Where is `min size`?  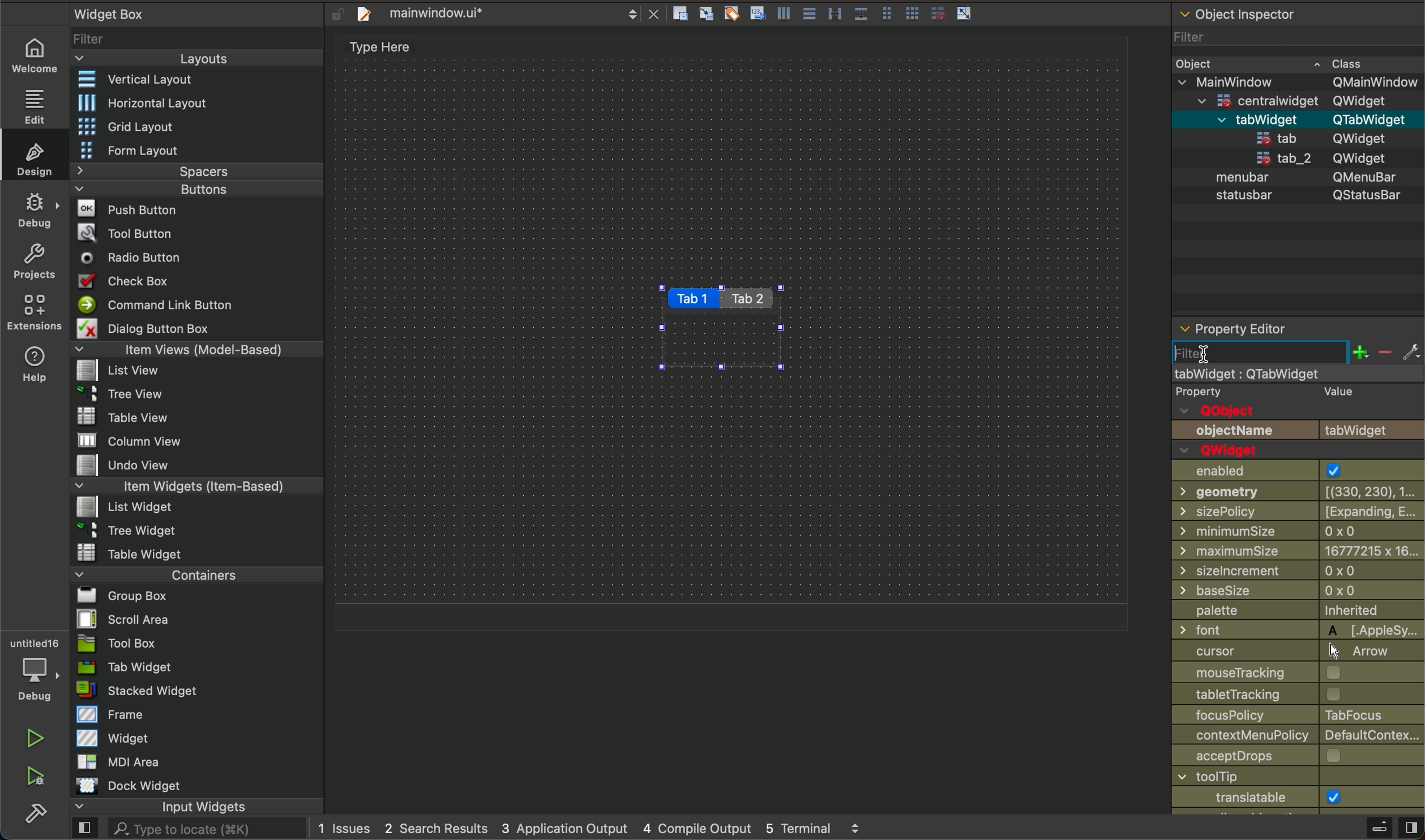
min size is located at coordinates (1299, 532).